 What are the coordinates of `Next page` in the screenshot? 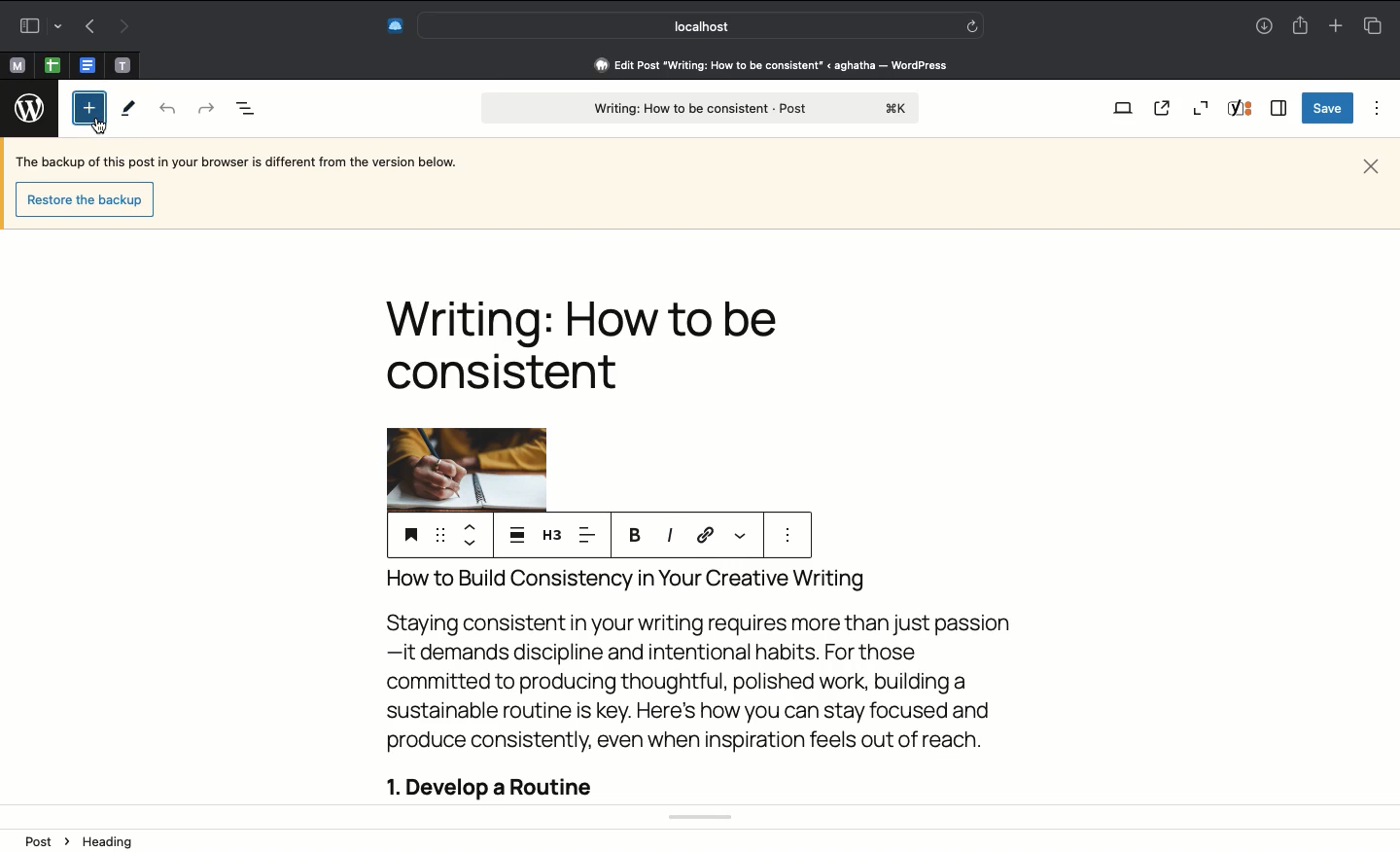 It's located at (122, 28).